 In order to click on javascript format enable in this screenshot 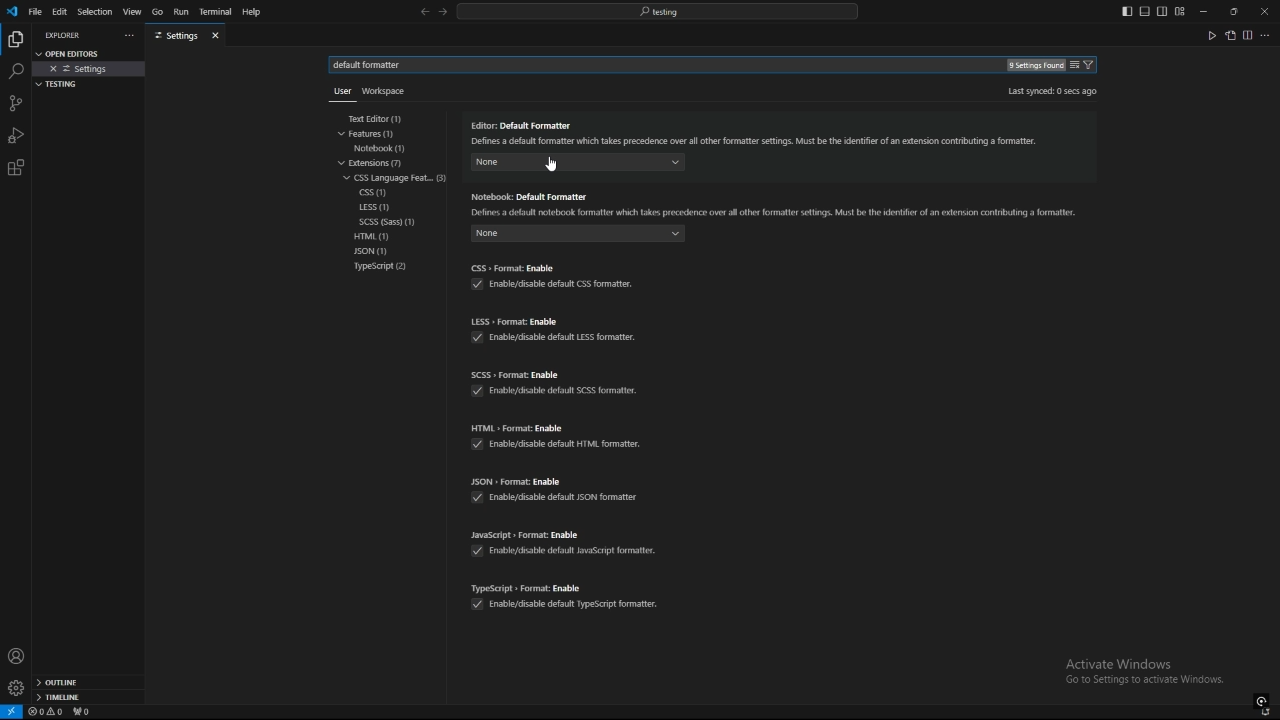, I will do `click(565, 533)`.